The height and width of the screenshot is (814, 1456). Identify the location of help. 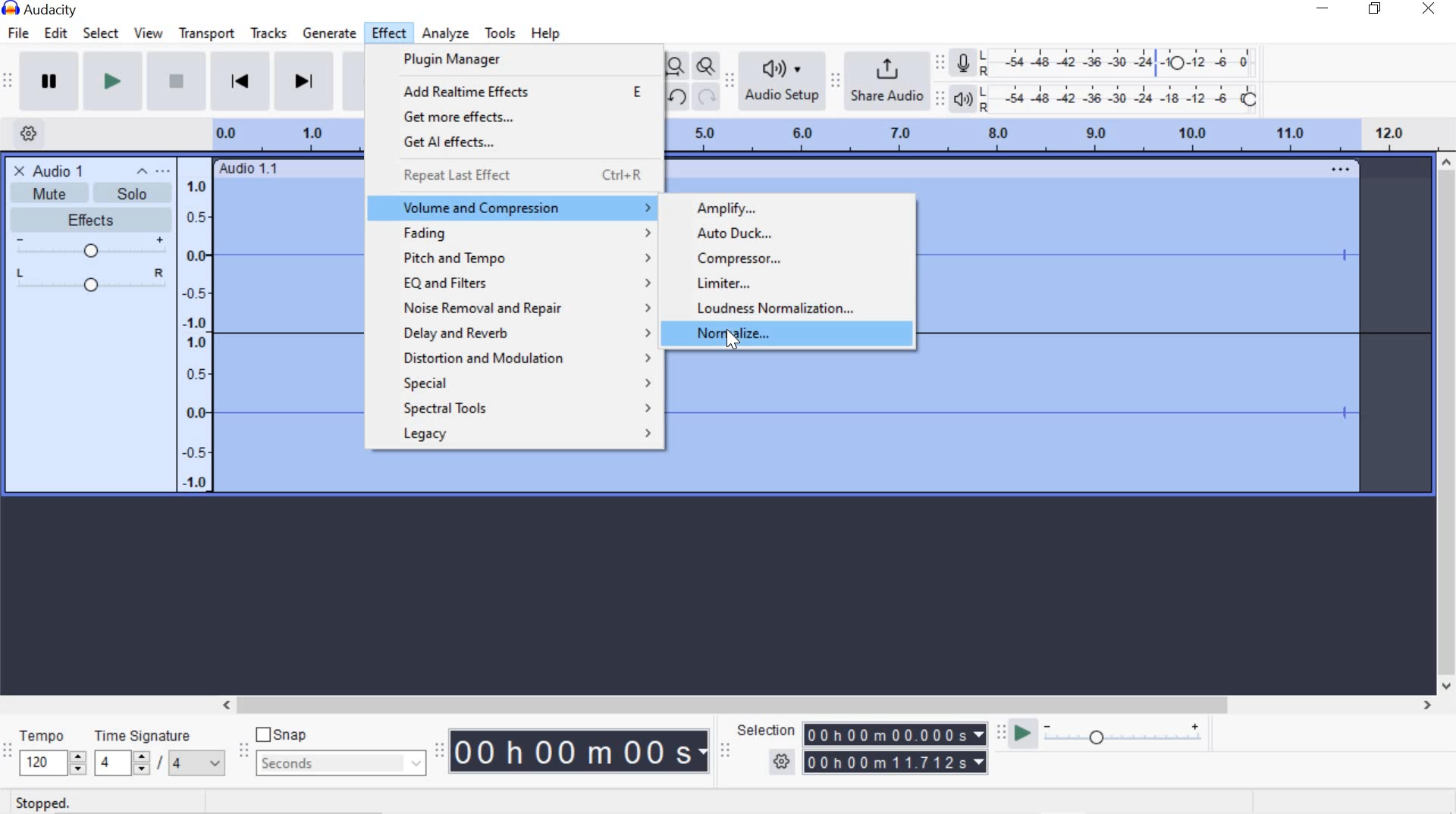
(542, 33).